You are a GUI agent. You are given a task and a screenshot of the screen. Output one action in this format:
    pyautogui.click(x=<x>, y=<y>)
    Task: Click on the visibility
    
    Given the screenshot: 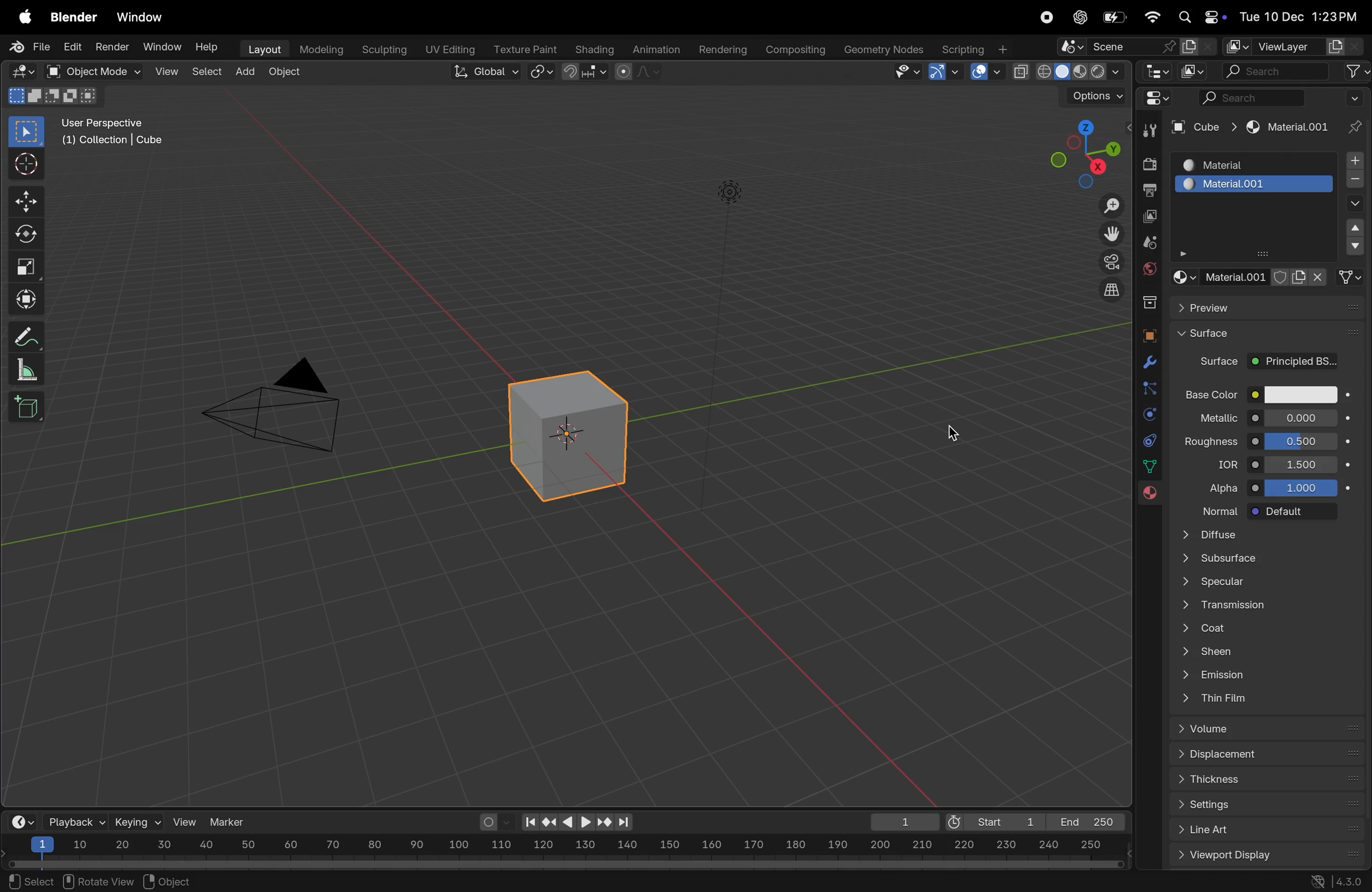 What is the action you would take?
    pyautogui.click(x=905, y=73)
    